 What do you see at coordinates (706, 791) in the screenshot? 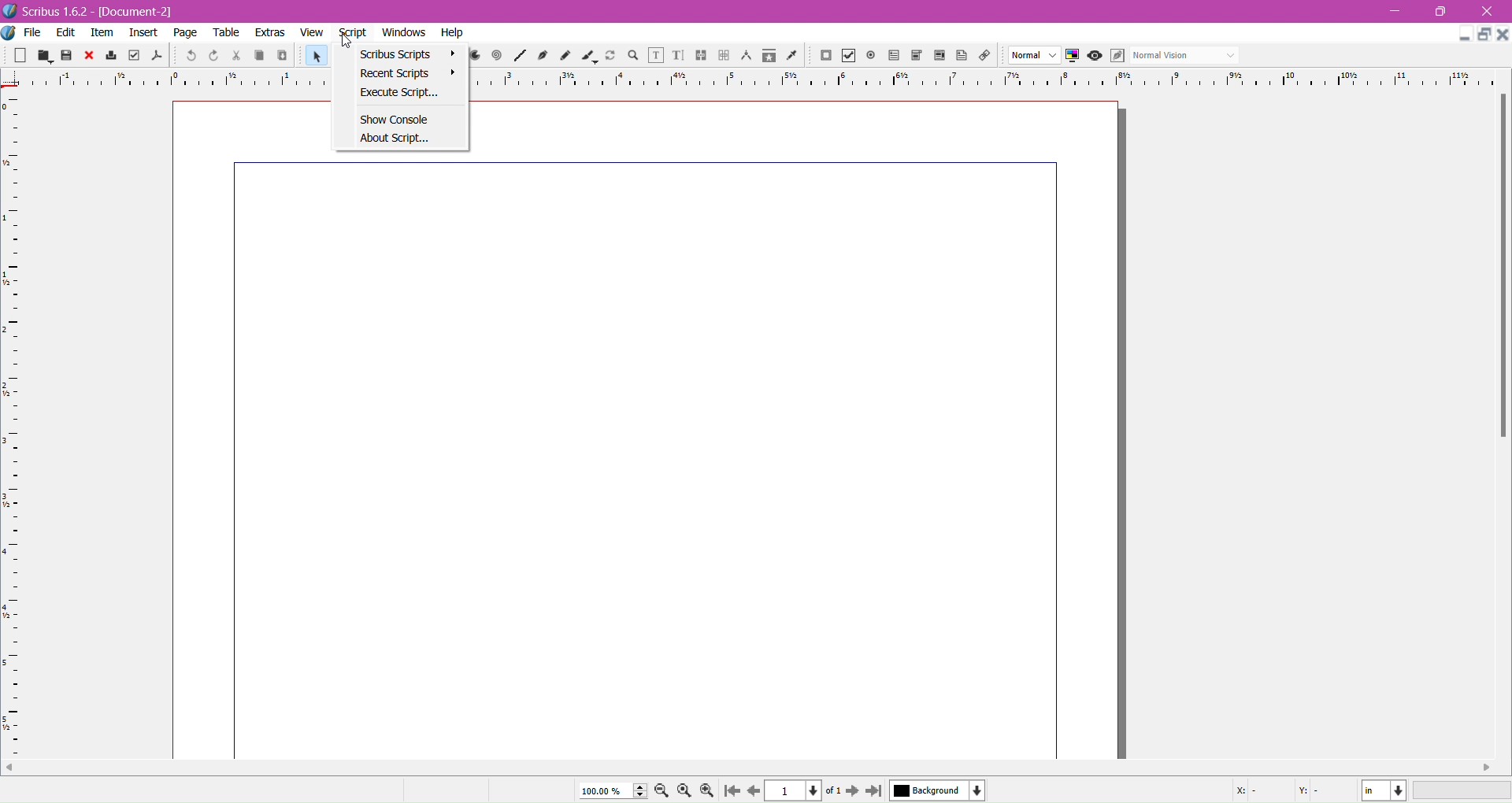
I see `Zoom in by the stepping value in the Tools preferences ` at bounding box center [706, 791].